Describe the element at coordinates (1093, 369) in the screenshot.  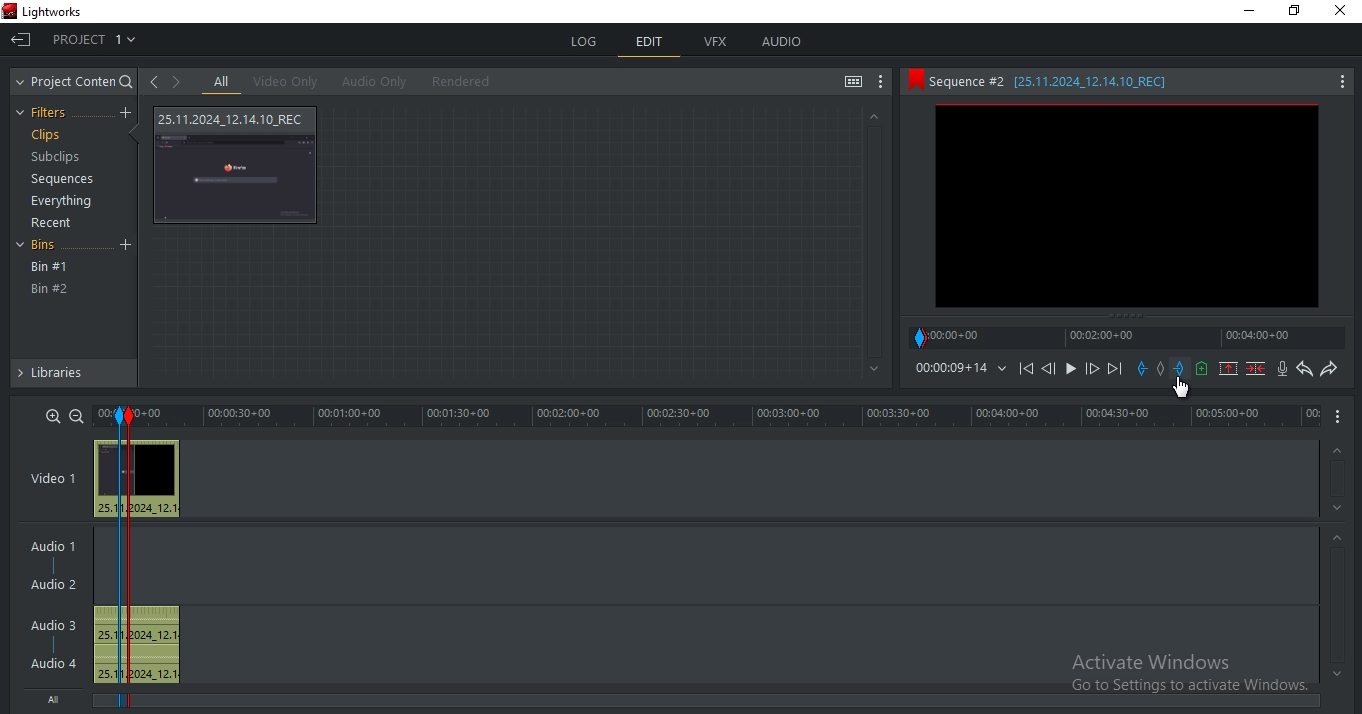
I see `Forward` at that location.